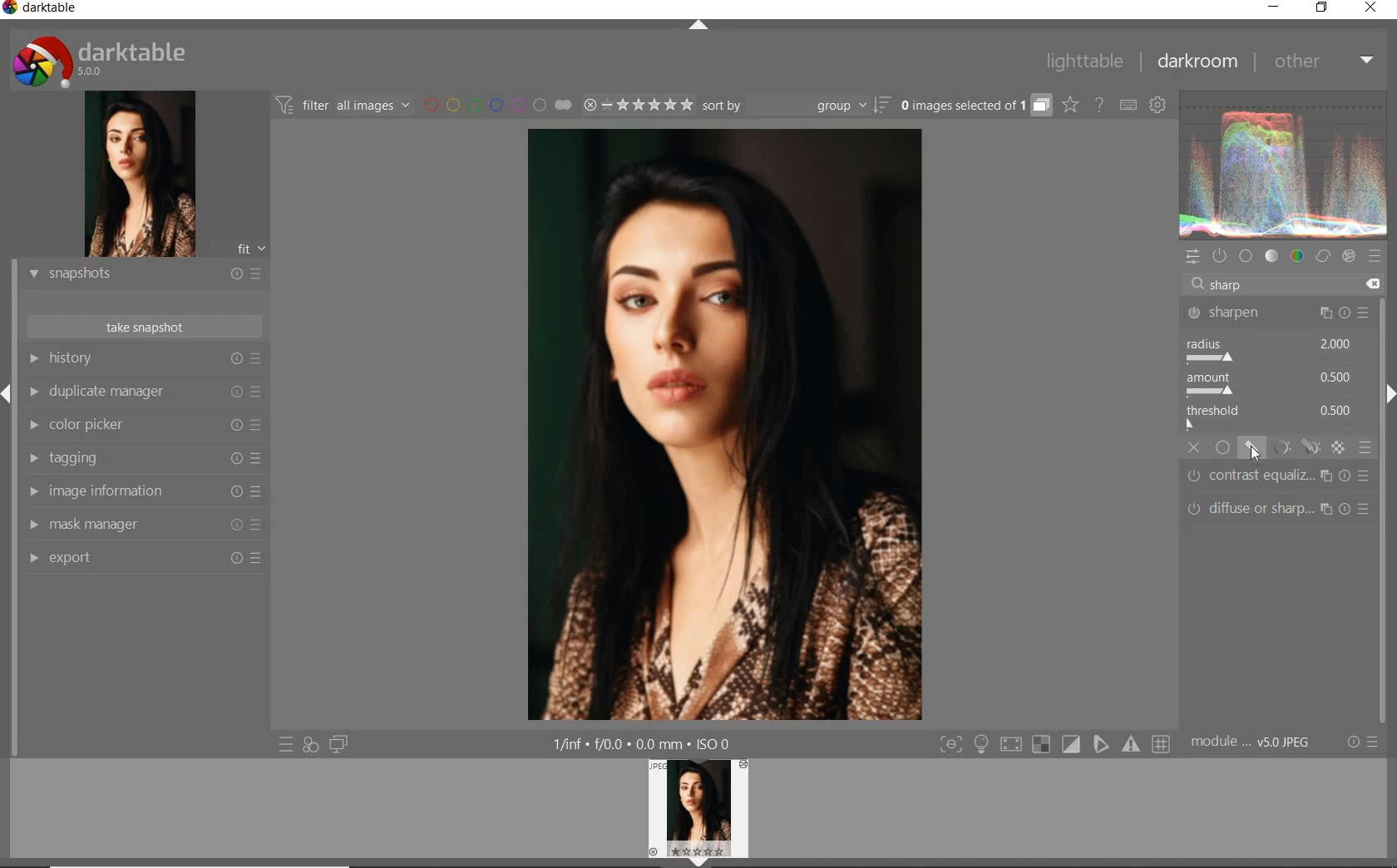 The width and height of the screenshot is (1397, 868). Describe the element at coordinates (1284, 162) in the screenshot. I see `Preview color` at that location.